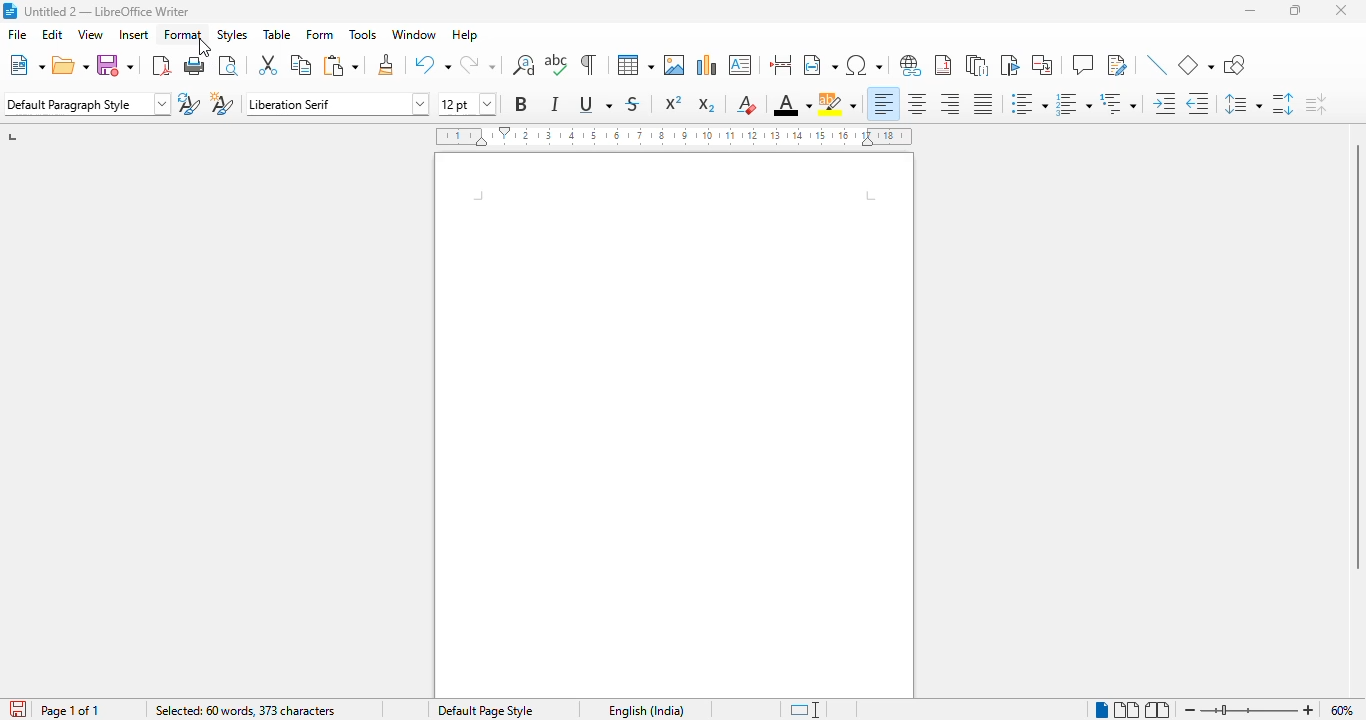 Image resolution: width=1366 pixels, height=720 pixels. I want to click on superscript, so click(673, 102).